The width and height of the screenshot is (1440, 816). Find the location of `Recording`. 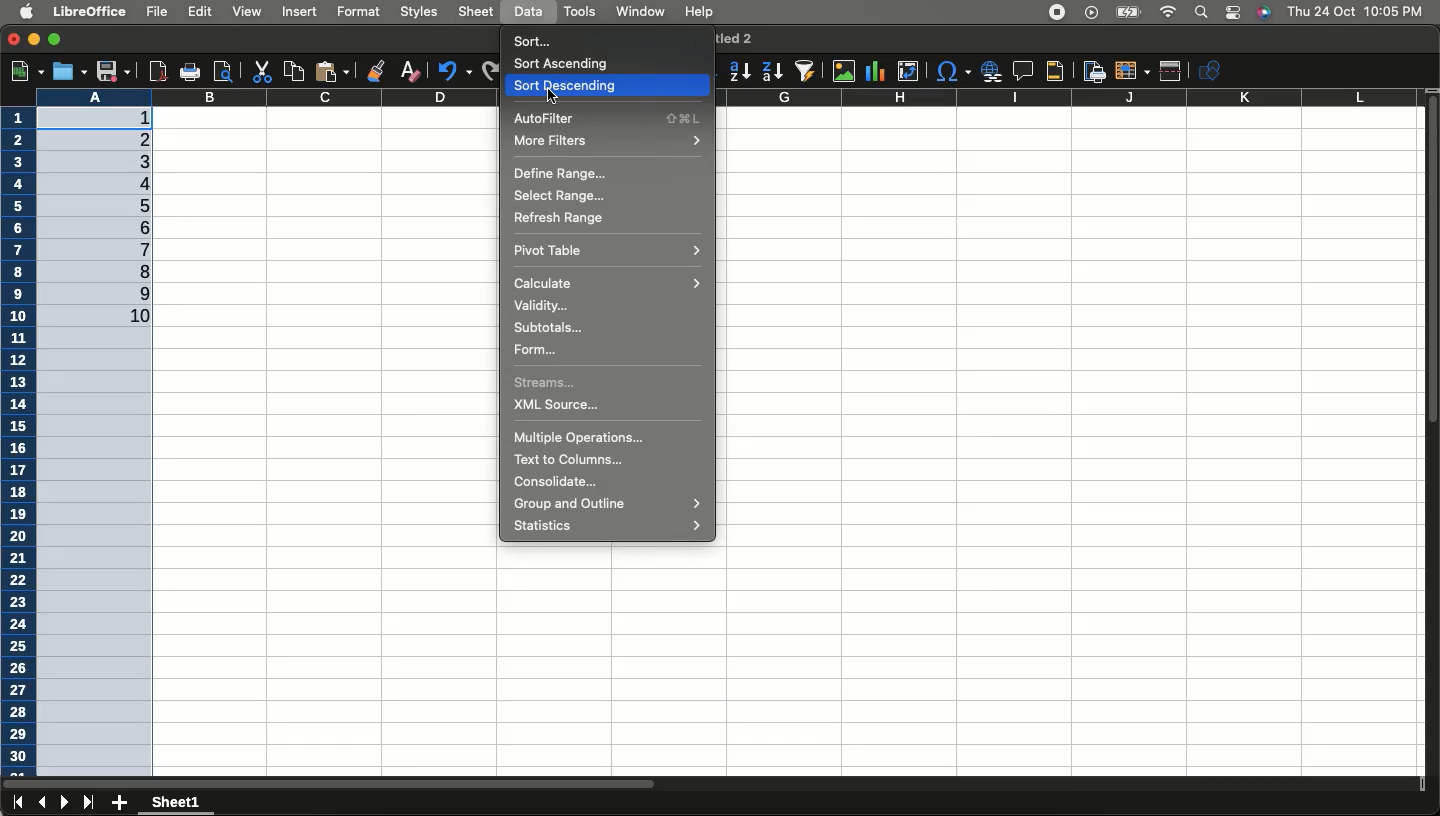

Recording is located at coordinates (1058, 13).